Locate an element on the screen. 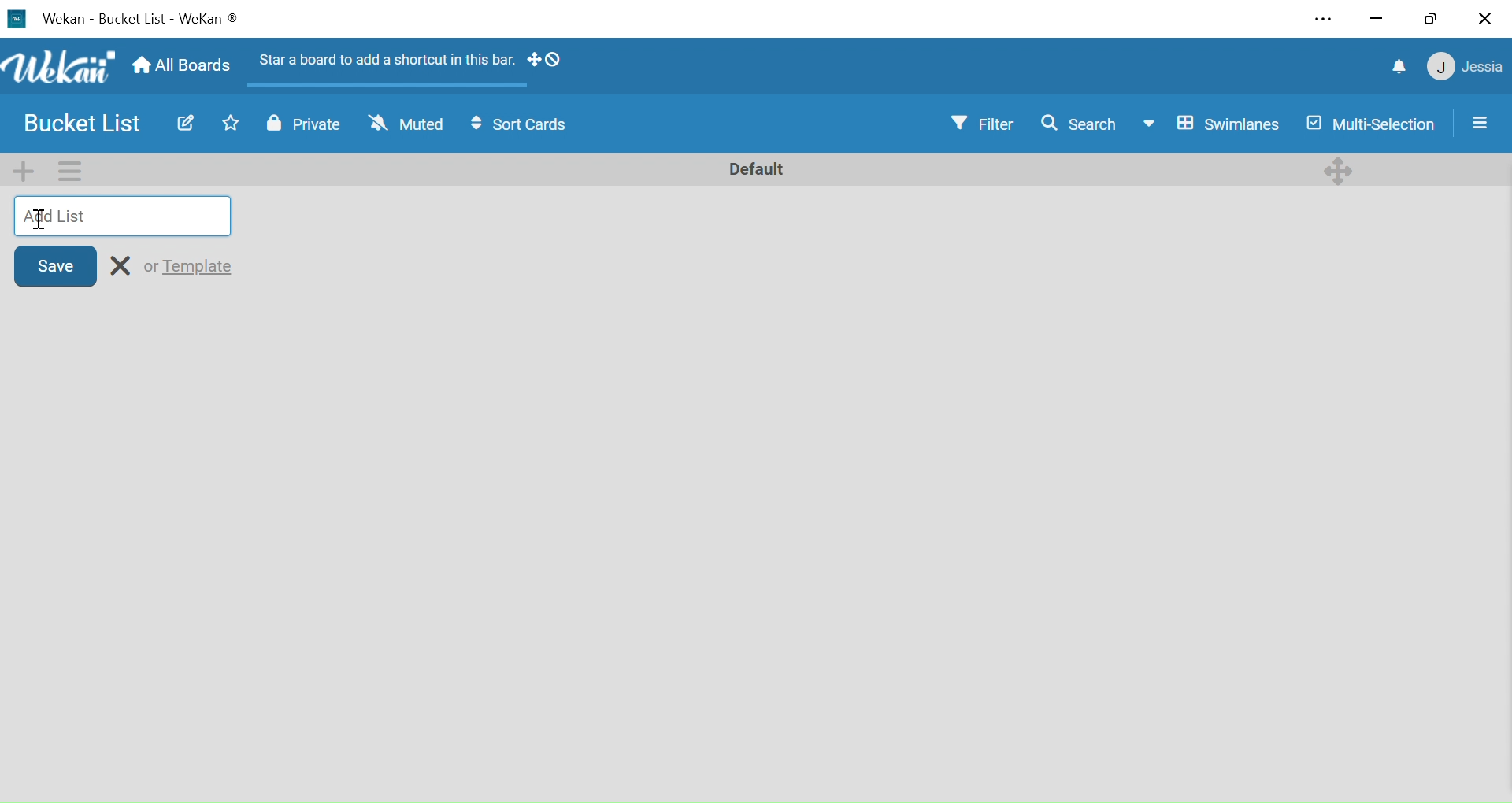 The image size is (1512, 803). Wekan Desktop icon is located at coordinates (16, 19).